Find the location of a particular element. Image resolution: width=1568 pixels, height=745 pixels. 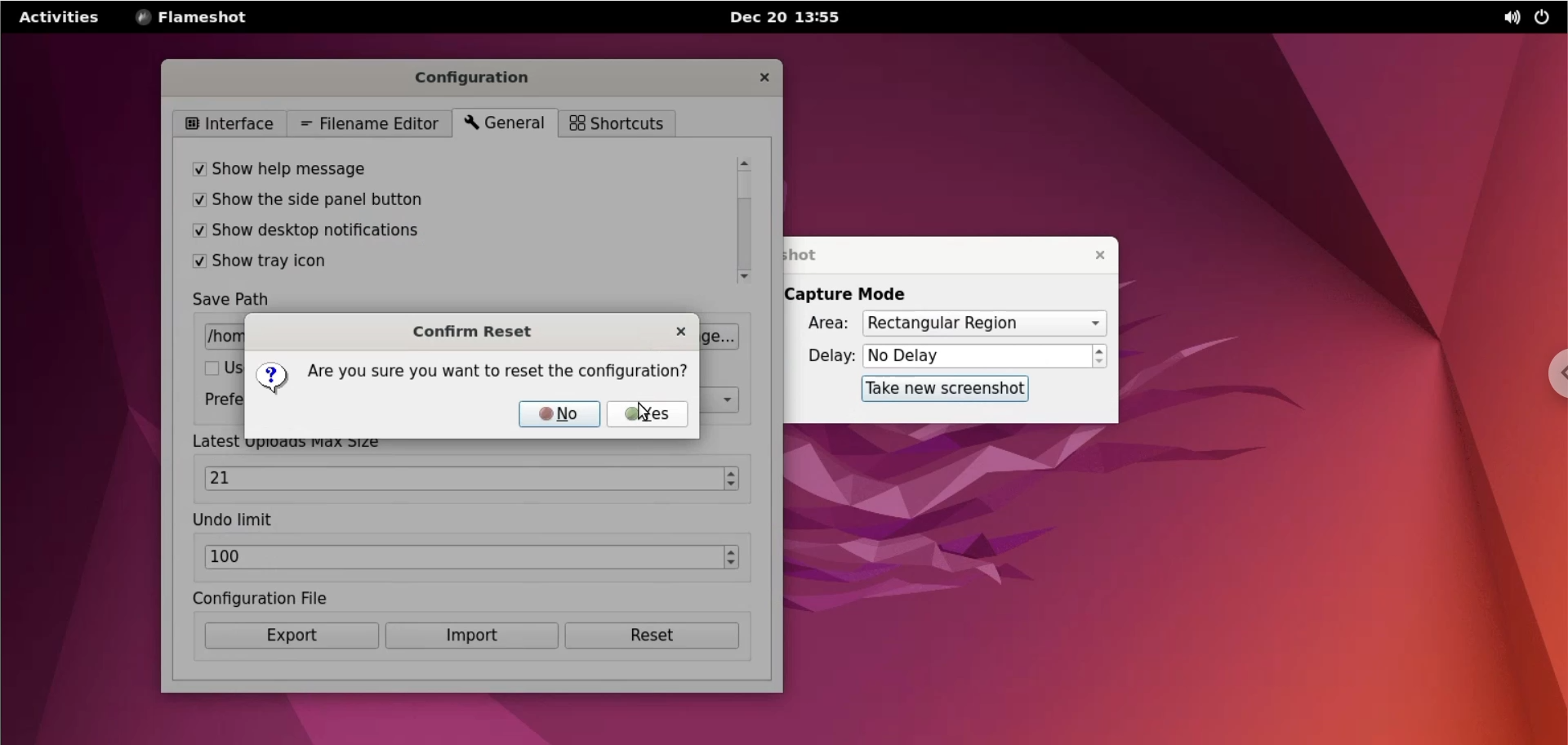

show the side panel button is located at coordinates (447, 203).